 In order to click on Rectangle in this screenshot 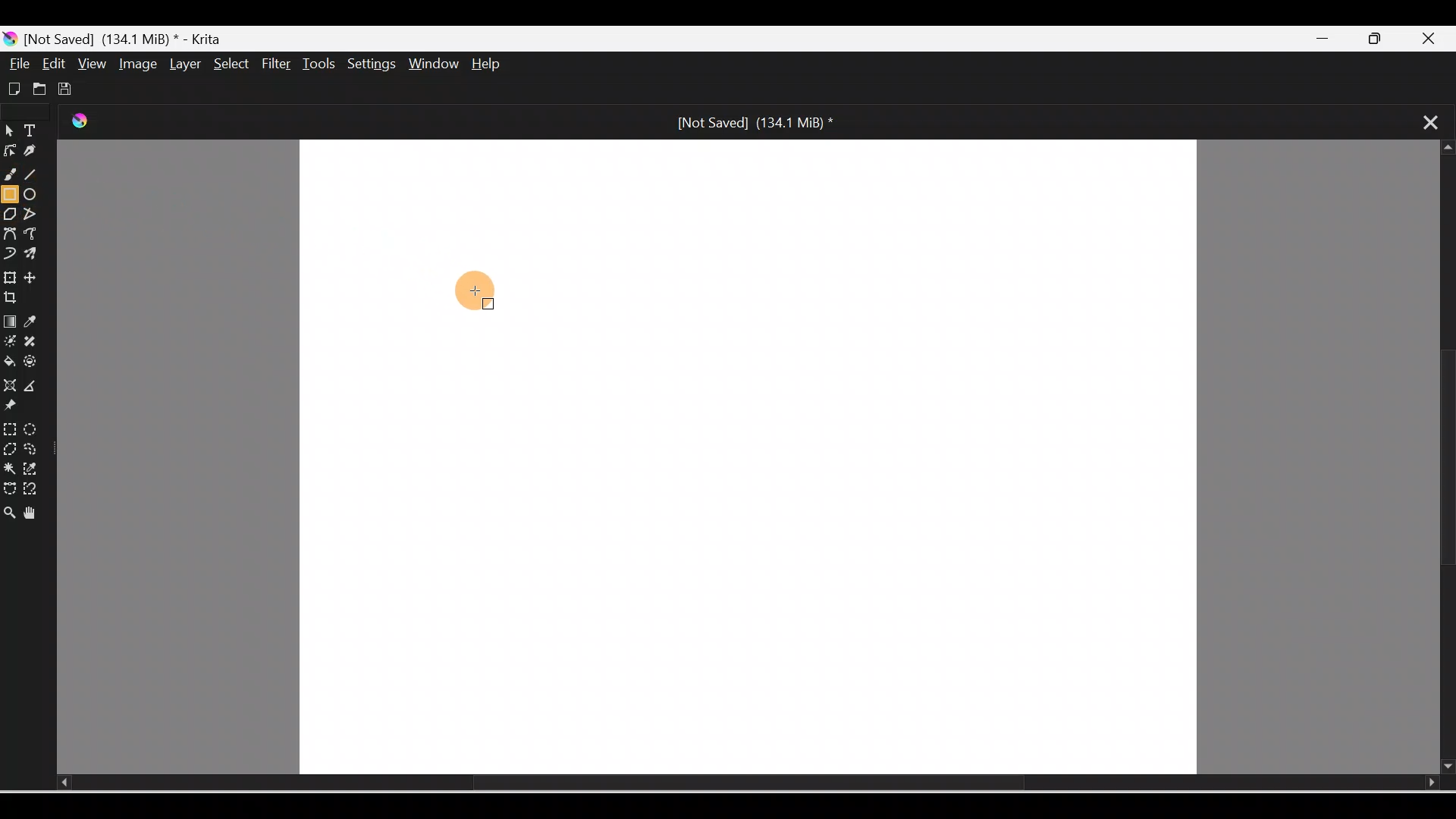, I will do `click(11, 194)`.